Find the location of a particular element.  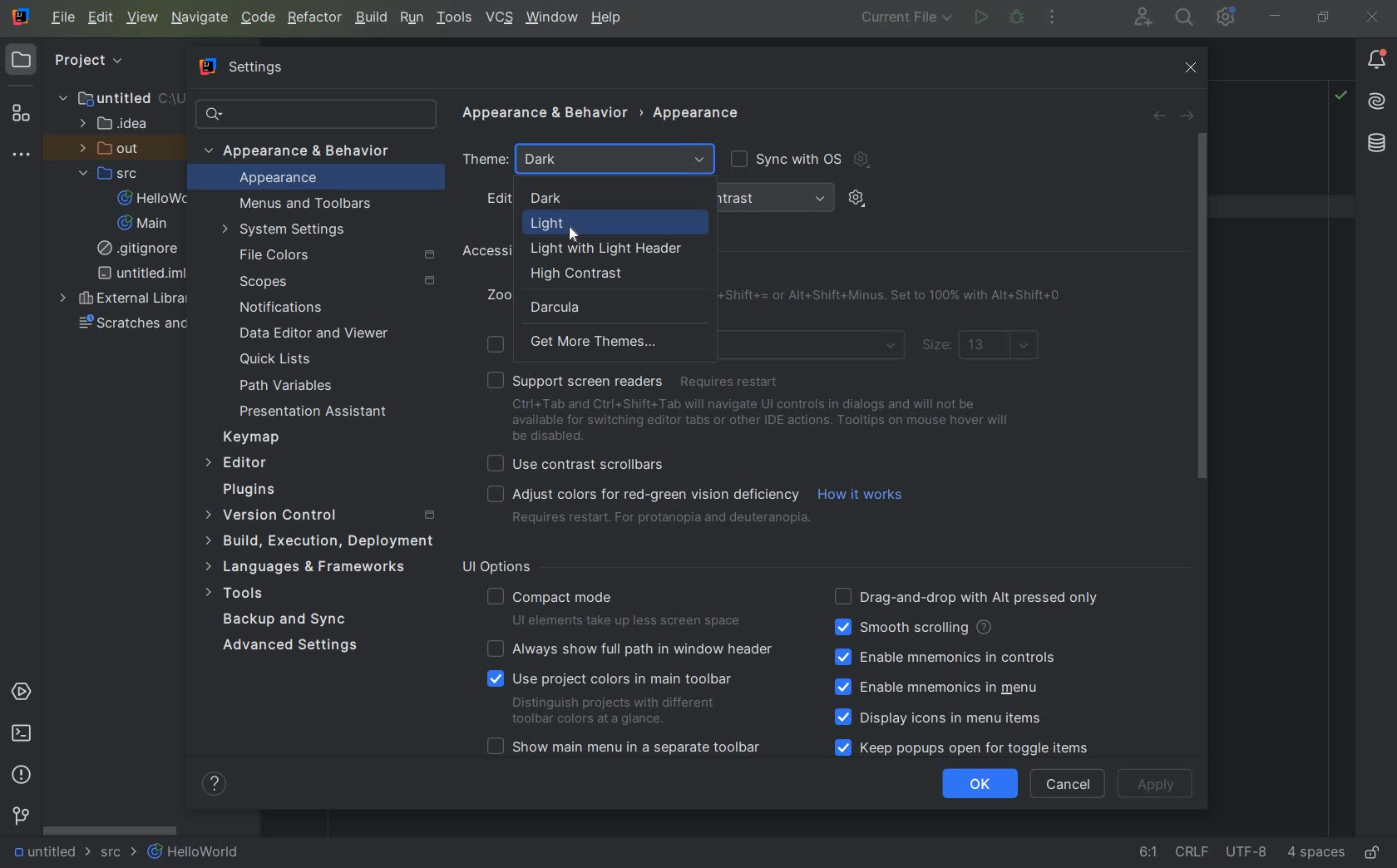

AI Assistant is located at coordinates (1376, 101).